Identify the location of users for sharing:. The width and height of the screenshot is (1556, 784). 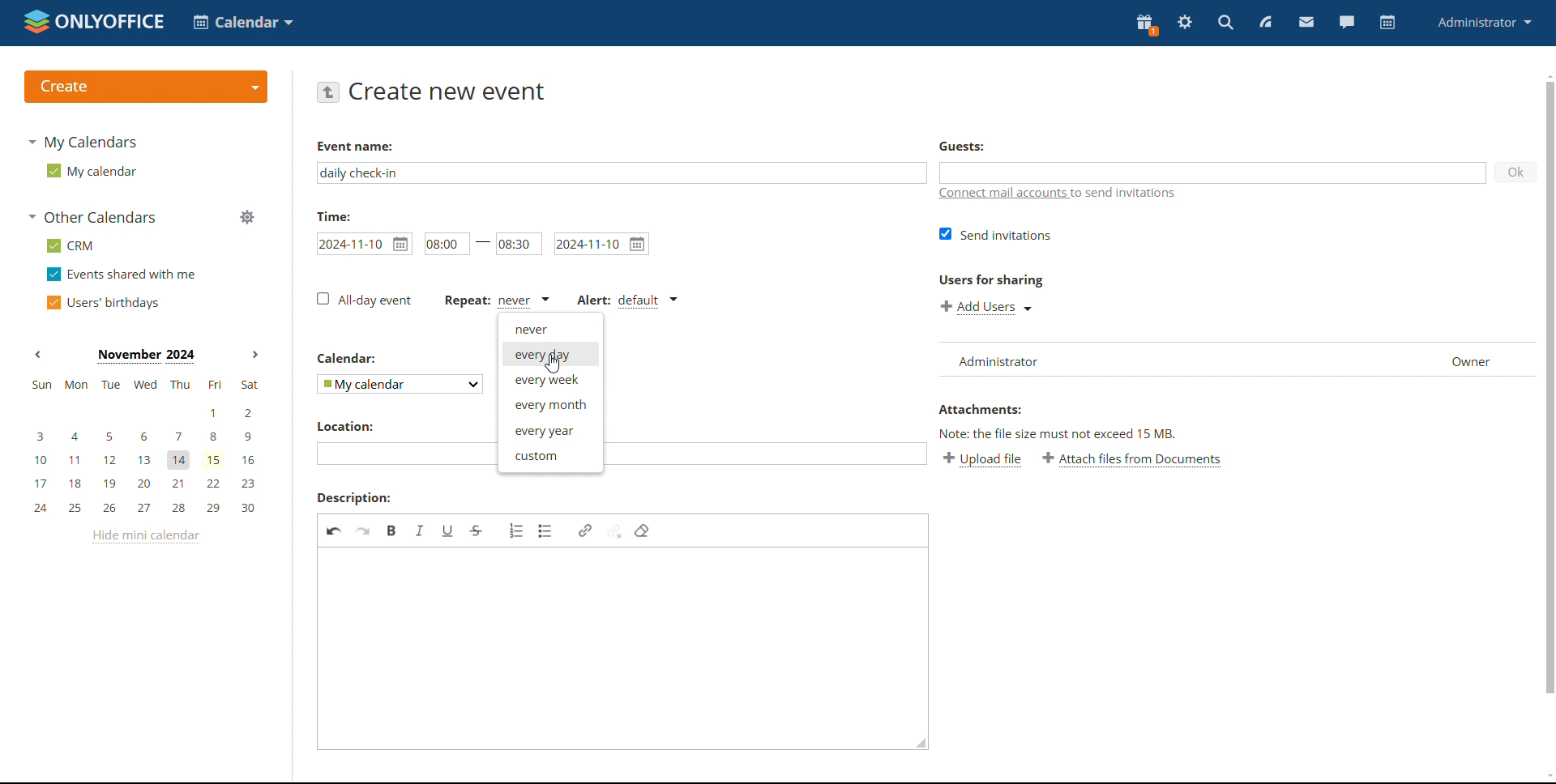
(998, 280).